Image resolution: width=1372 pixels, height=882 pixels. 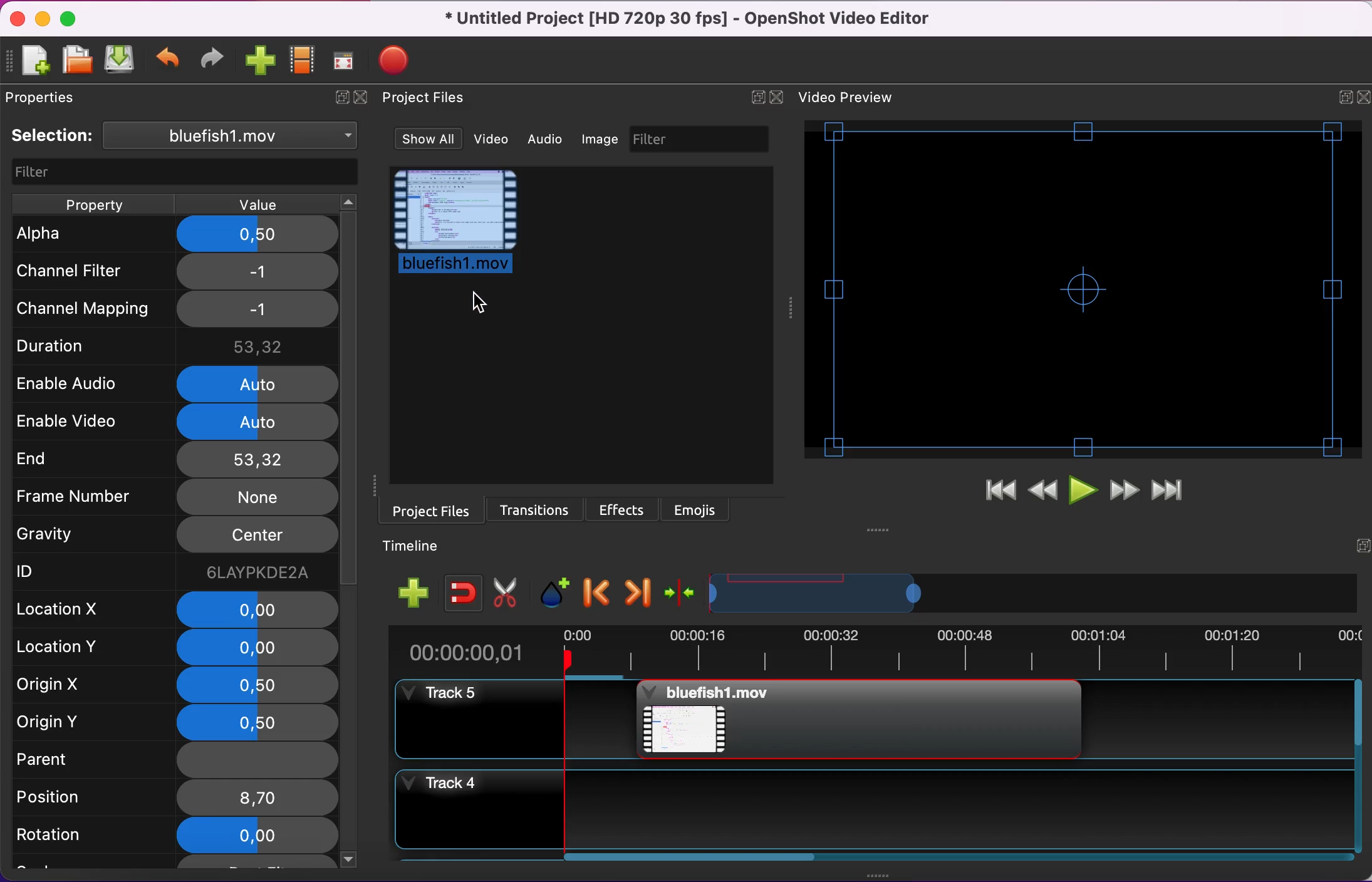 What do you see at coordinates (17, 19) in the screenshot?
I see `close` at bounding box center [17, 19].